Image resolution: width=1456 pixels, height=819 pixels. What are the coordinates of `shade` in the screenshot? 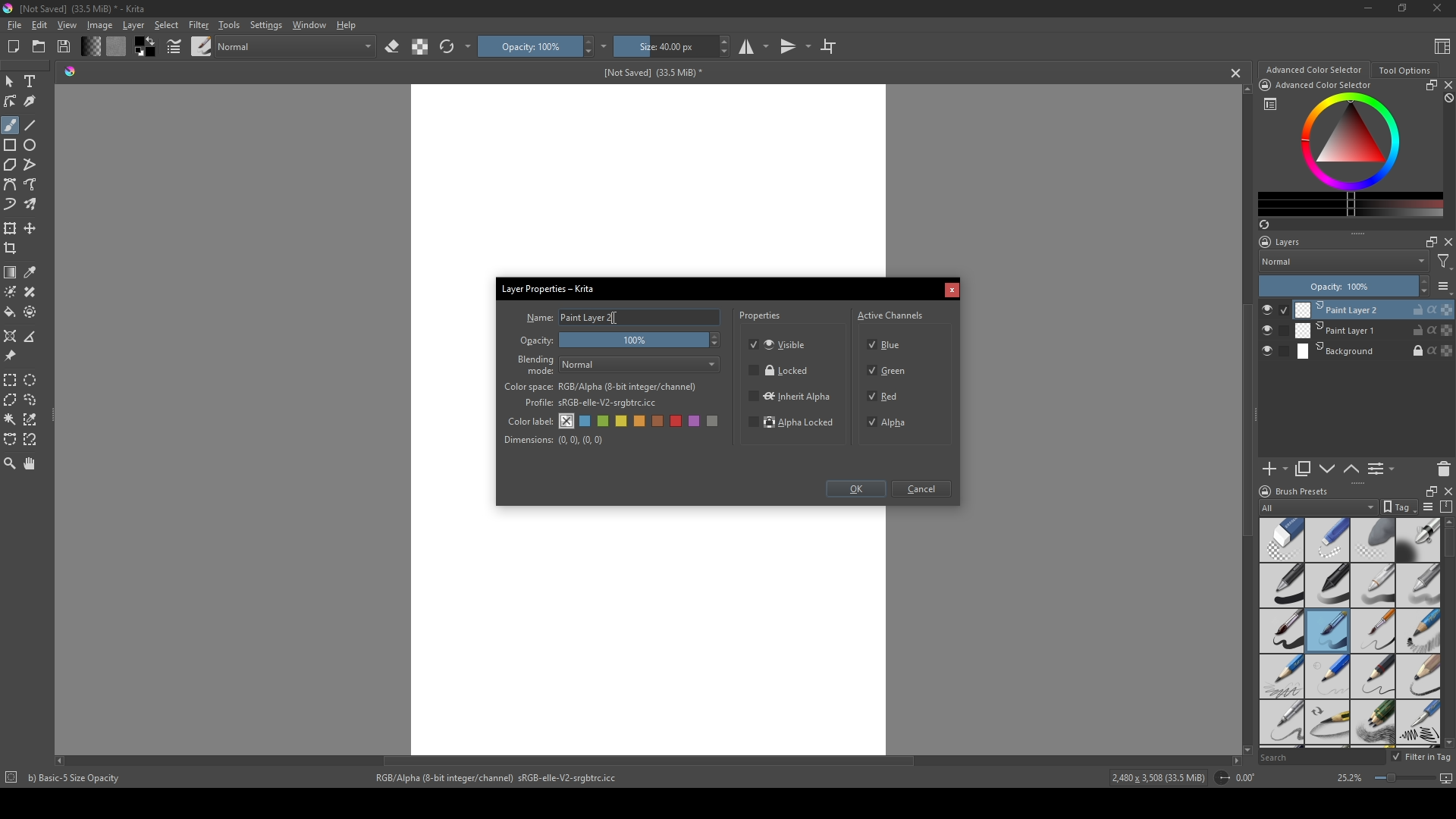 It's located at (70, 71).